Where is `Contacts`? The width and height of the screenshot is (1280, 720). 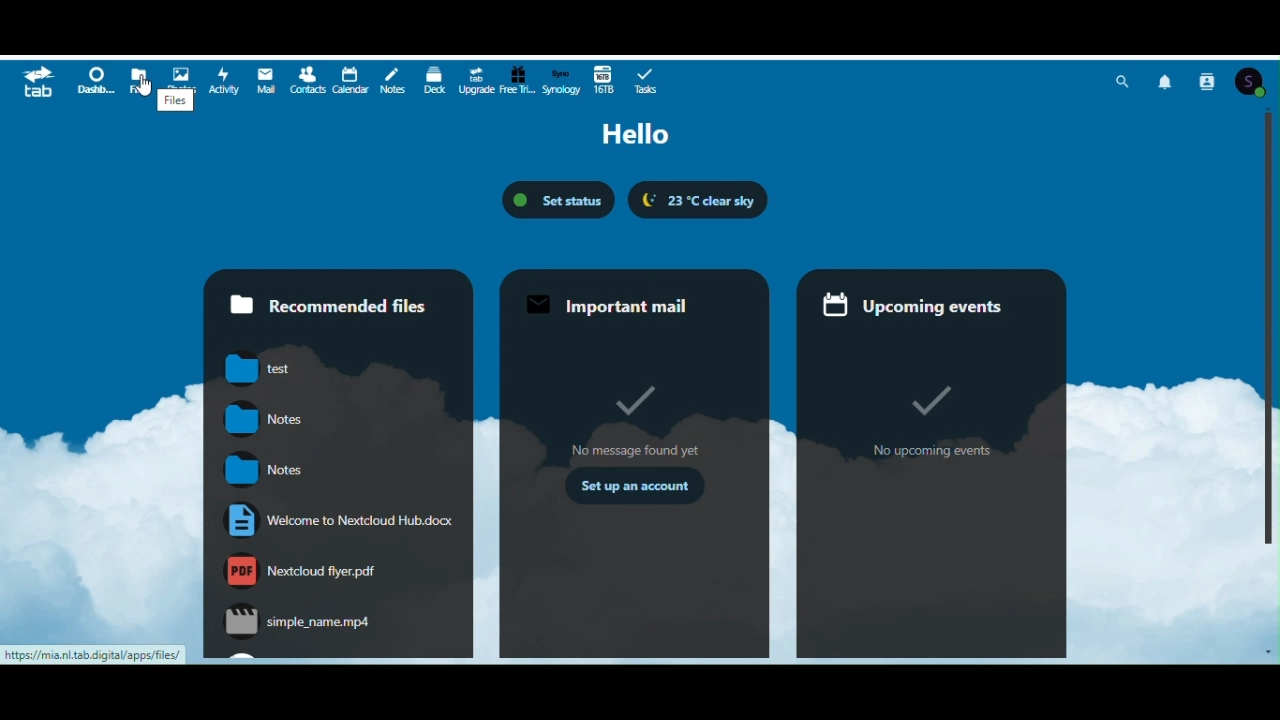 Contacts is located at coordinates (309, 81).